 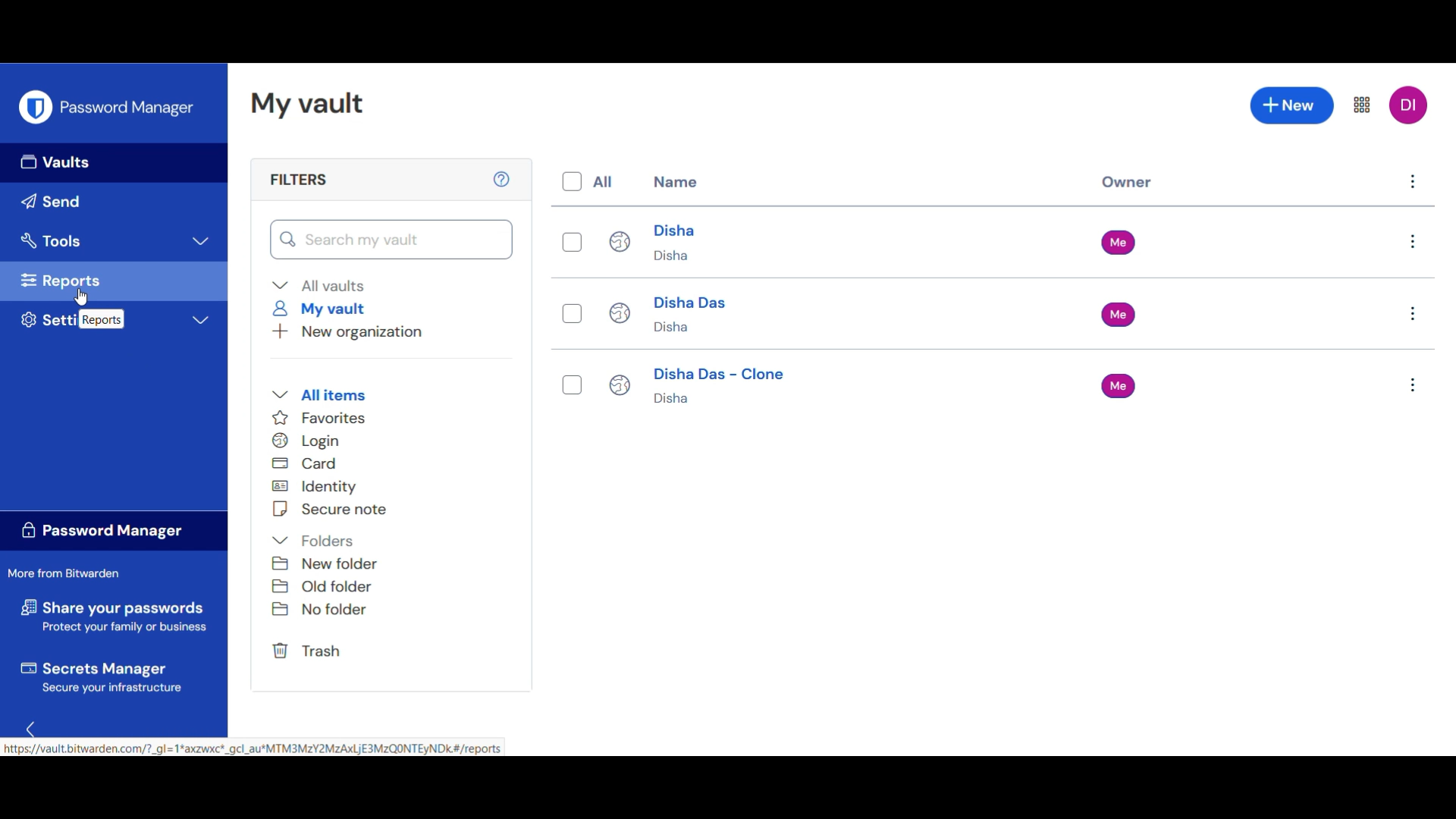 What do you see at coordinates (1411, 315) in the screenshot?
I see `entry menu` at bounding box center [1411, 315].